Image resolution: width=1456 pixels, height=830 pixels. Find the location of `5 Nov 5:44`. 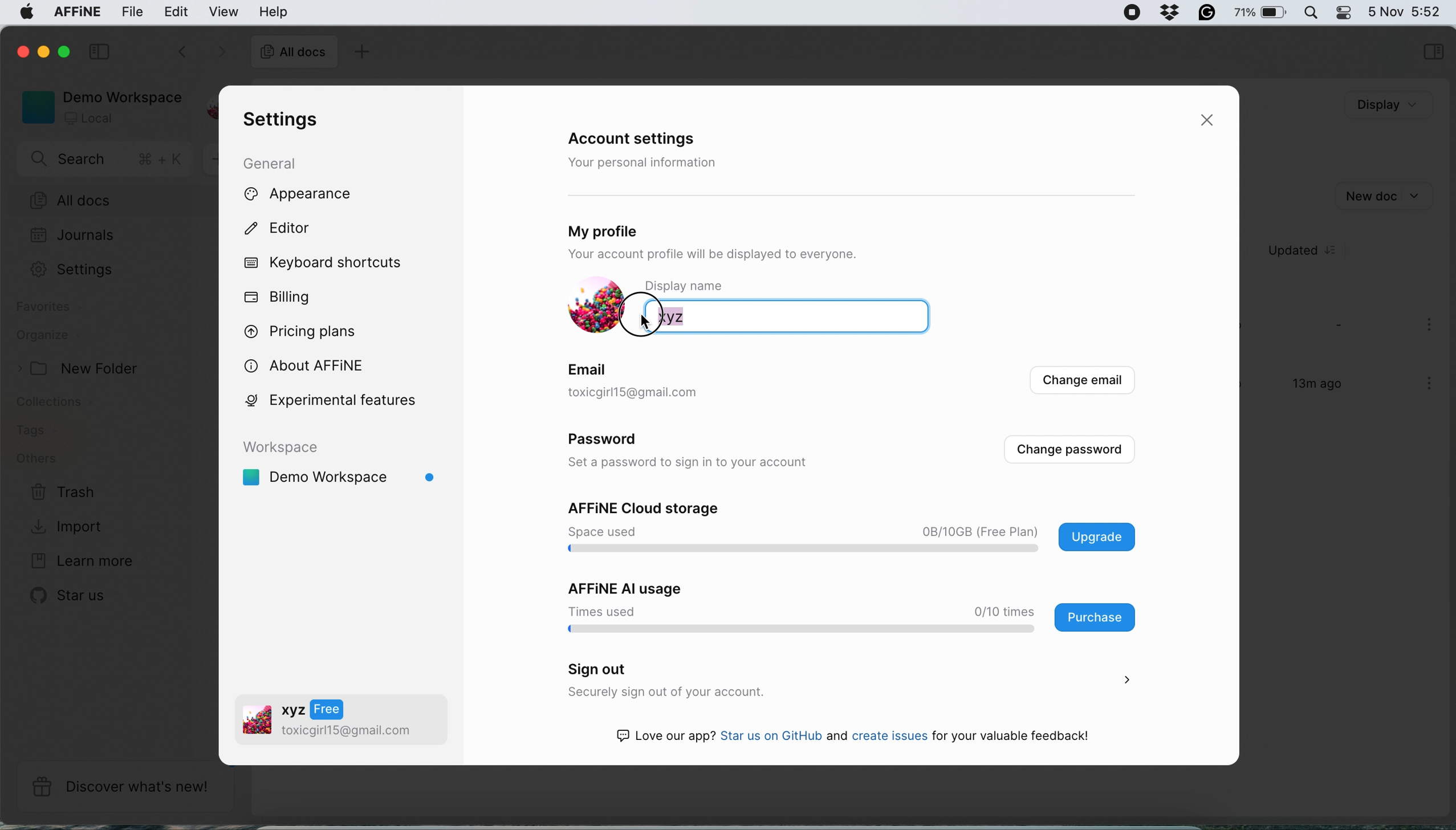

5 Nov 5:44 is located at coordinates (1404, 10).